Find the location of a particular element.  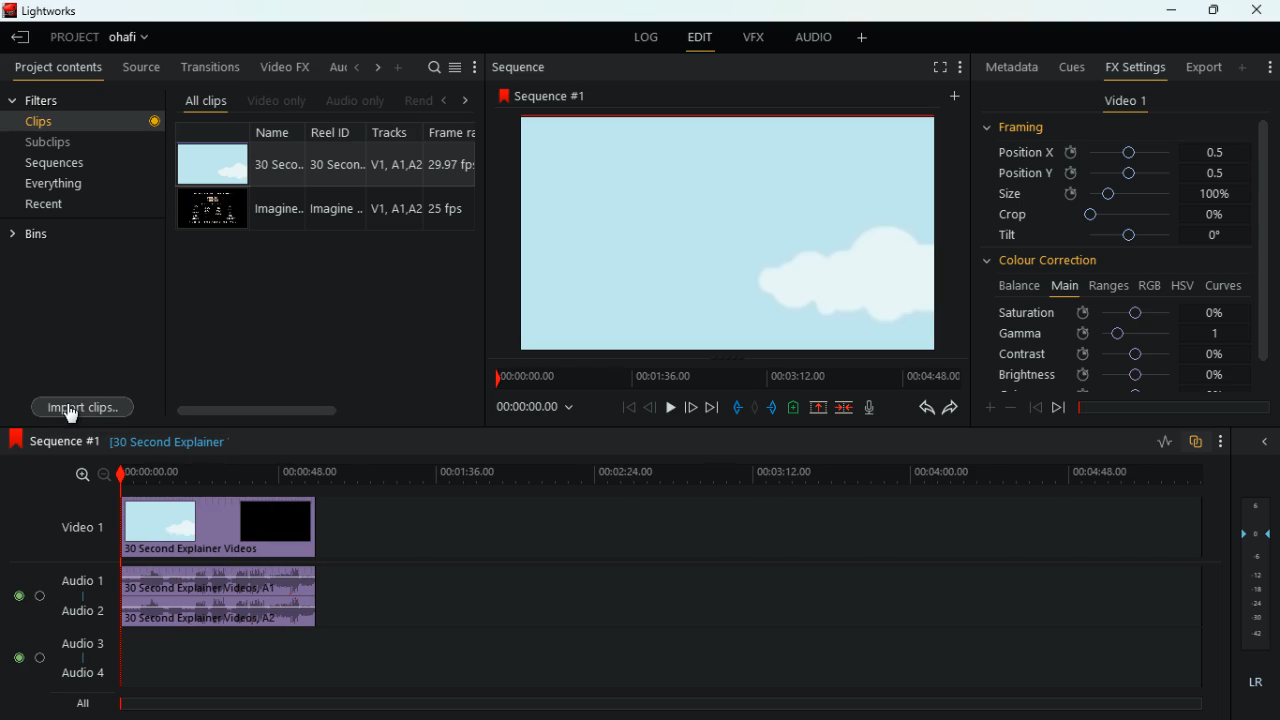

video 1 is located at coordinates (1123, 102).